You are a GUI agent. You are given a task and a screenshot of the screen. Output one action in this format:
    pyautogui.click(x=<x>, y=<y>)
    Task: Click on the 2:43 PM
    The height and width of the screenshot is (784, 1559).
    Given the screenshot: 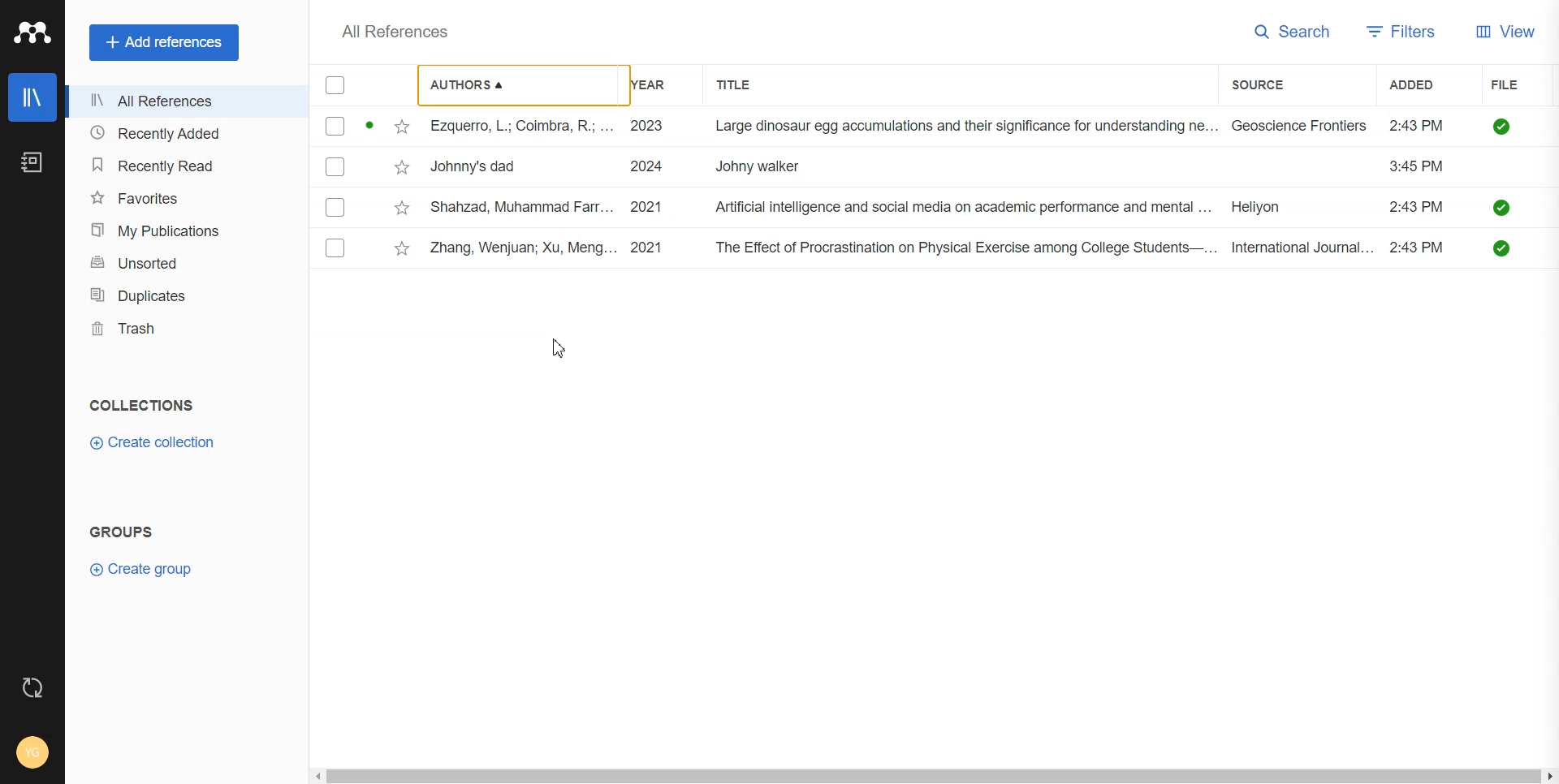 What is the action you would take?
    pyautogui.click(x=1418, y=167)
    